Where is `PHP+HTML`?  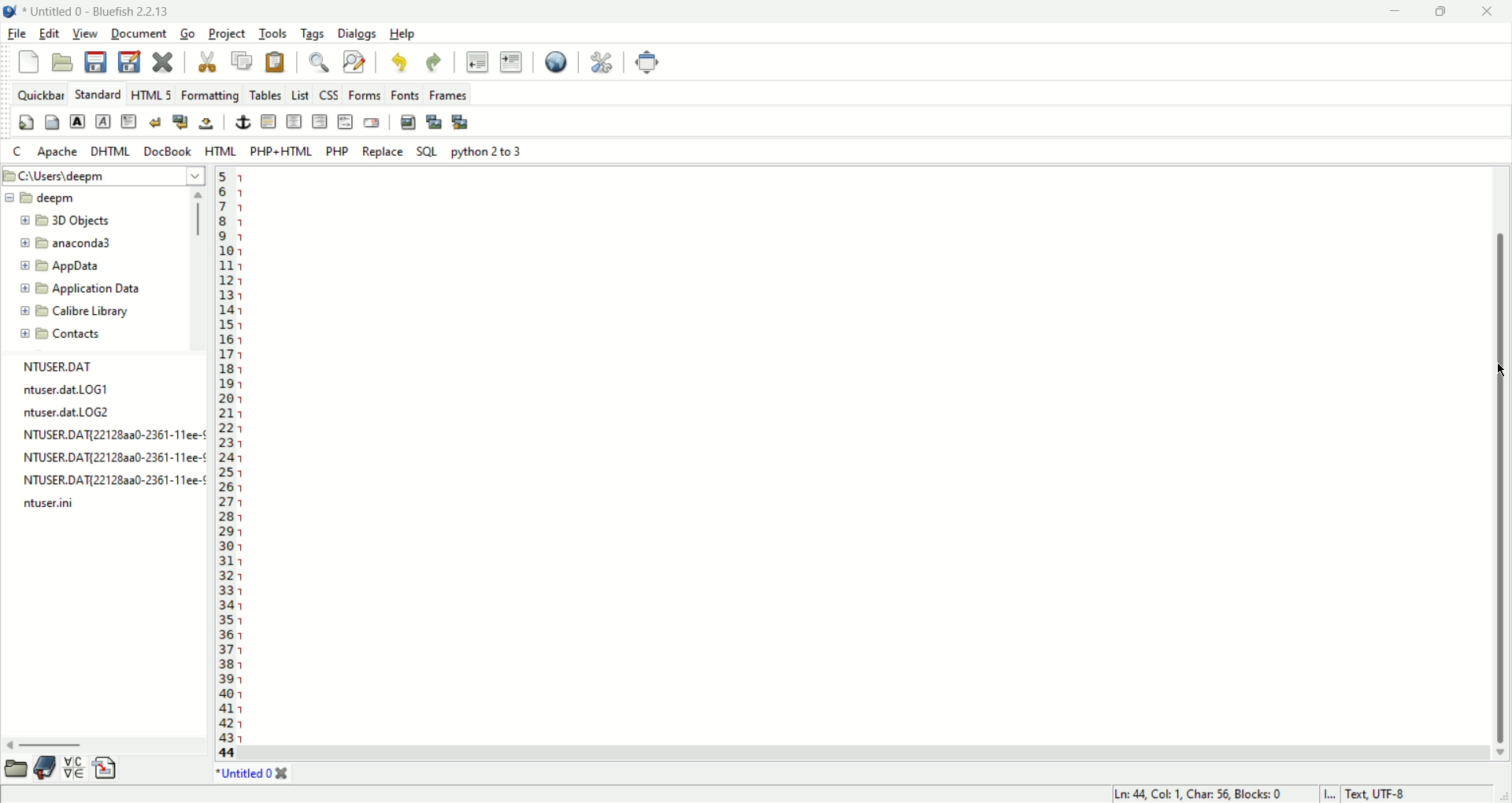
PHP+HTML is located at coordinates (280, 151).